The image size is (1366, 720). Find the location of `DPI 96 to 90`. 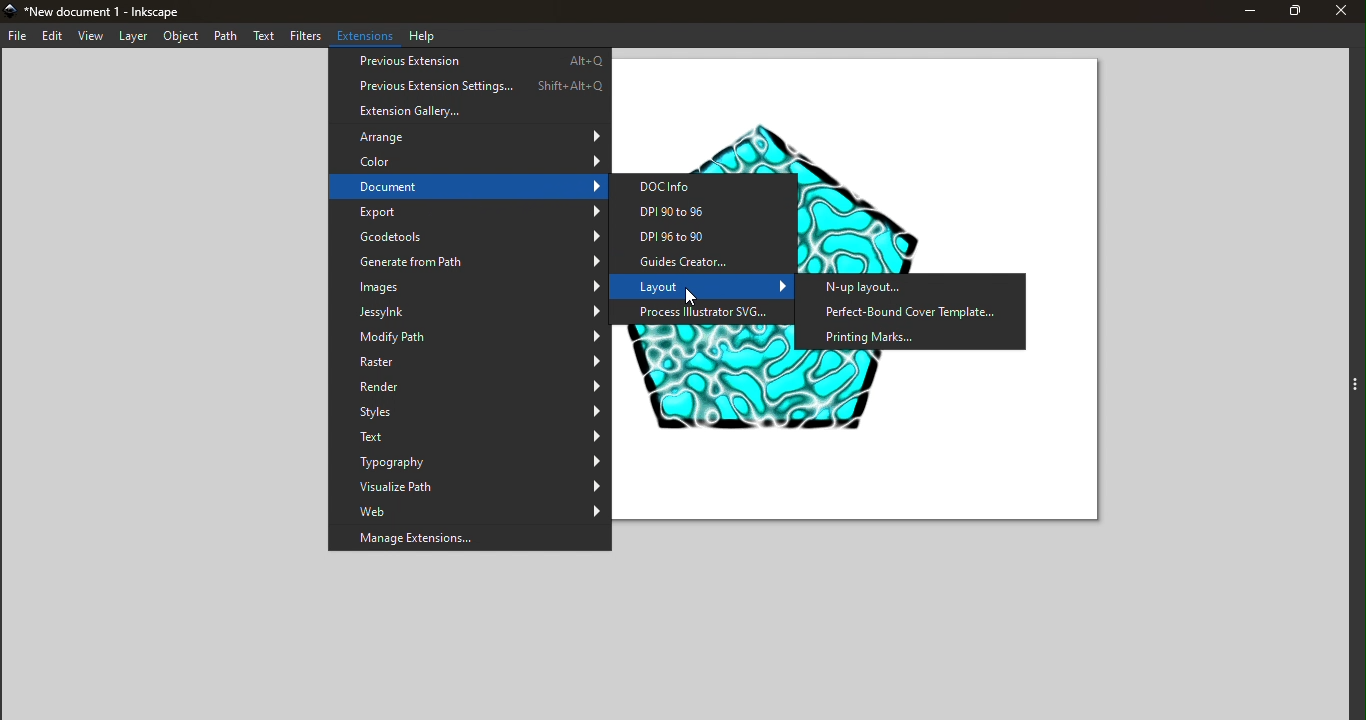

DPI 96 to 90 is located at coordinates (709, 239).